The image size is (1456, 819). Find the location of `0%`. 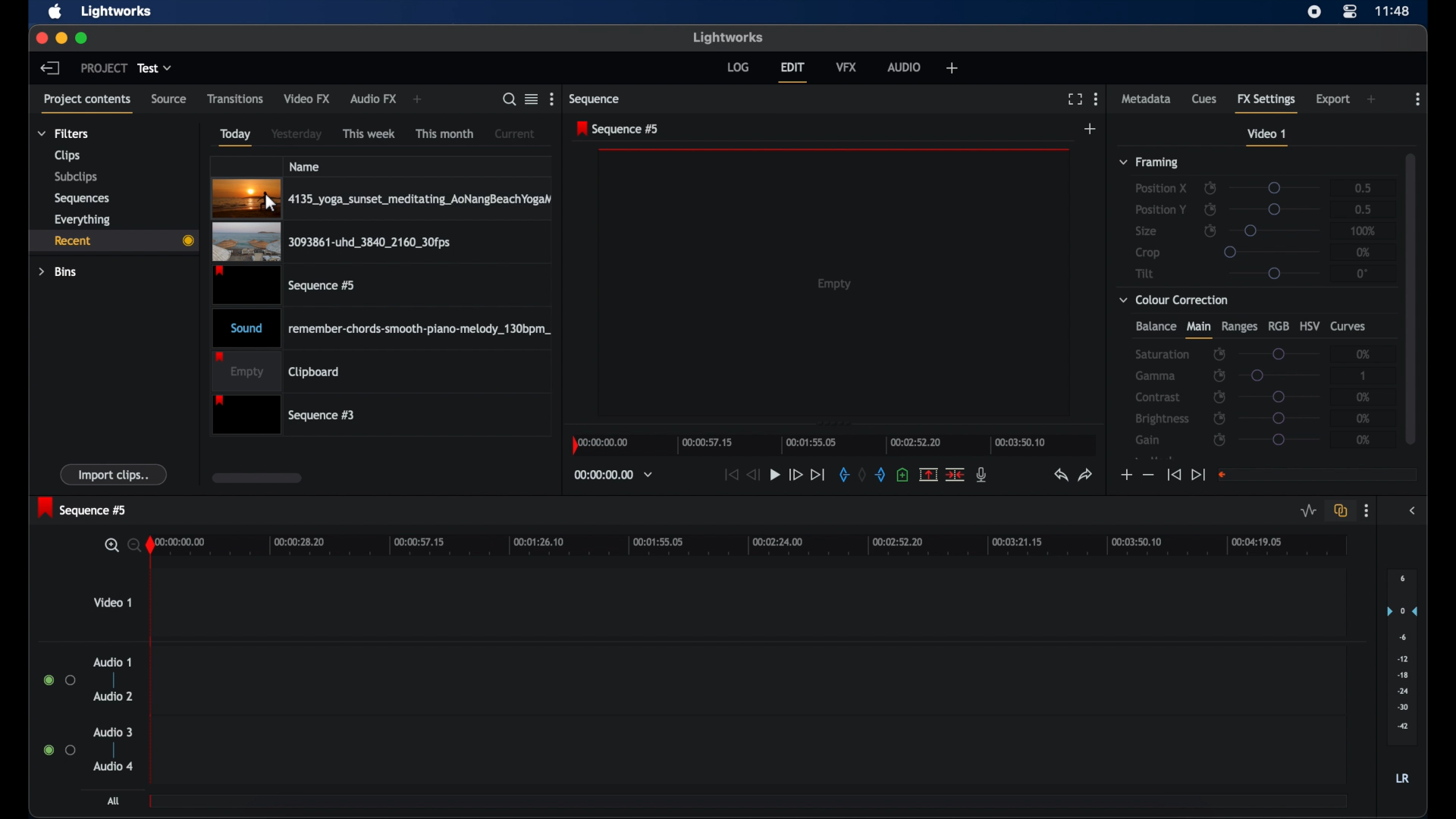

0% is located at coordinates (1361, 398).